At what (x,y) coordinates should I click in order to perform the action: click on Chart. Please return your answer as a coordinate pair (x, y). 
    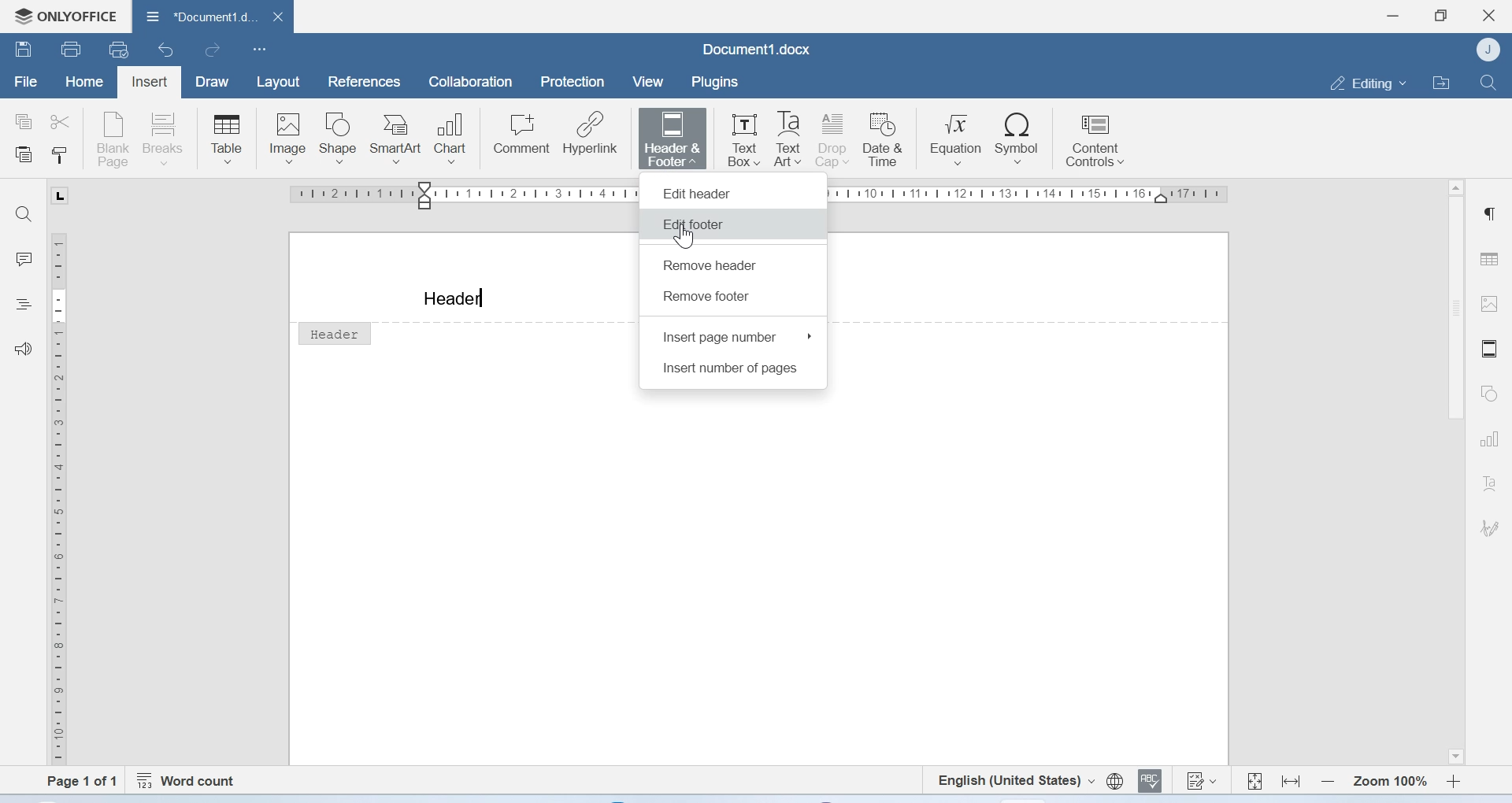
    Looking at the image, I should click on (456, 135).